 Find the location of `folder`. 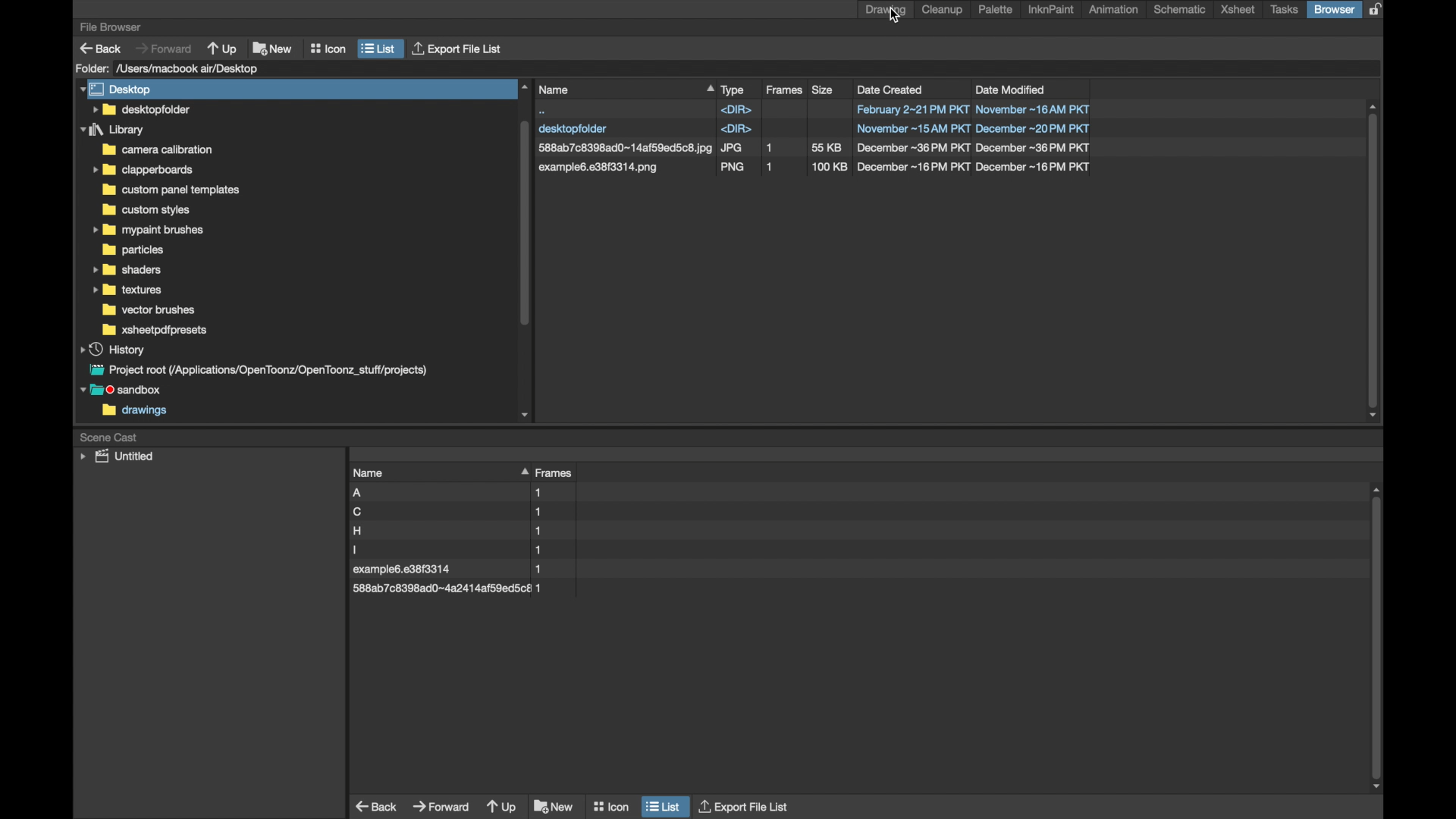

folder is located at coordinates (143, 170).